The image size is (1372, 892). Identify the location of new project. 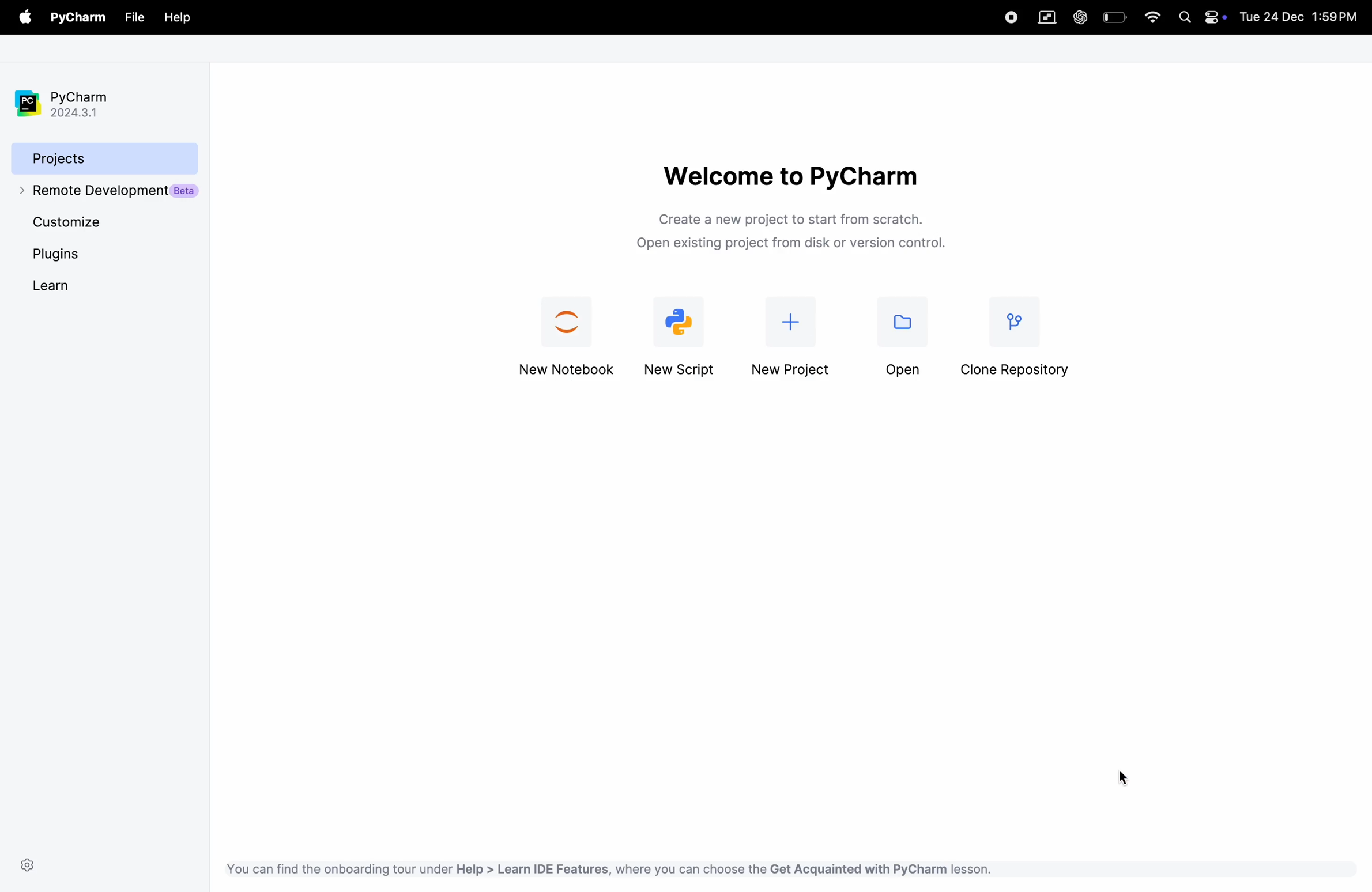
(682, 334).